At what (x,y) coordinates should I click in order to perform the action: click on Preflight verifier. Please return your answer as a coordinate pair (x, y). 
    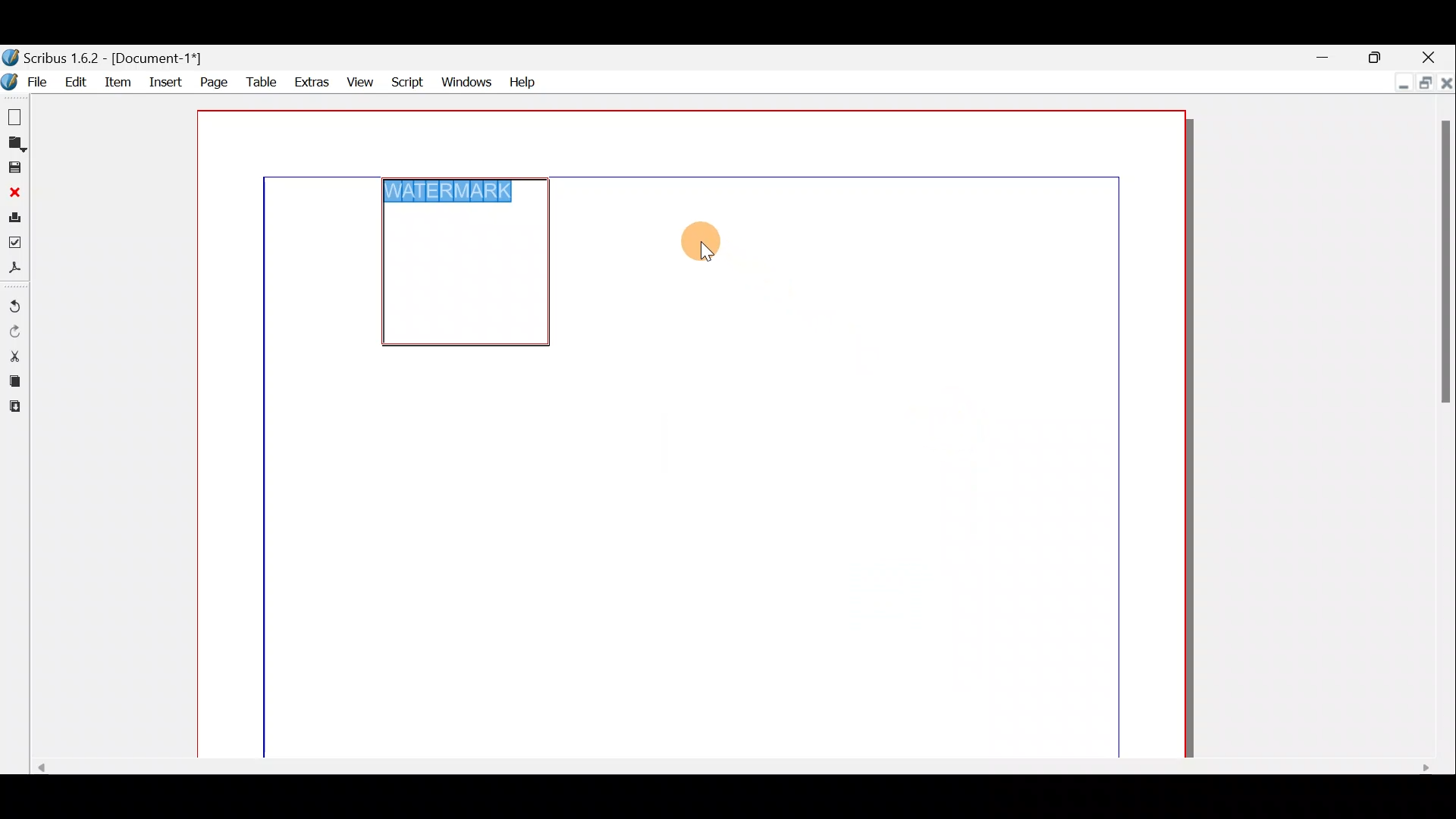
    Looking at the image, I should click on (15, 246).